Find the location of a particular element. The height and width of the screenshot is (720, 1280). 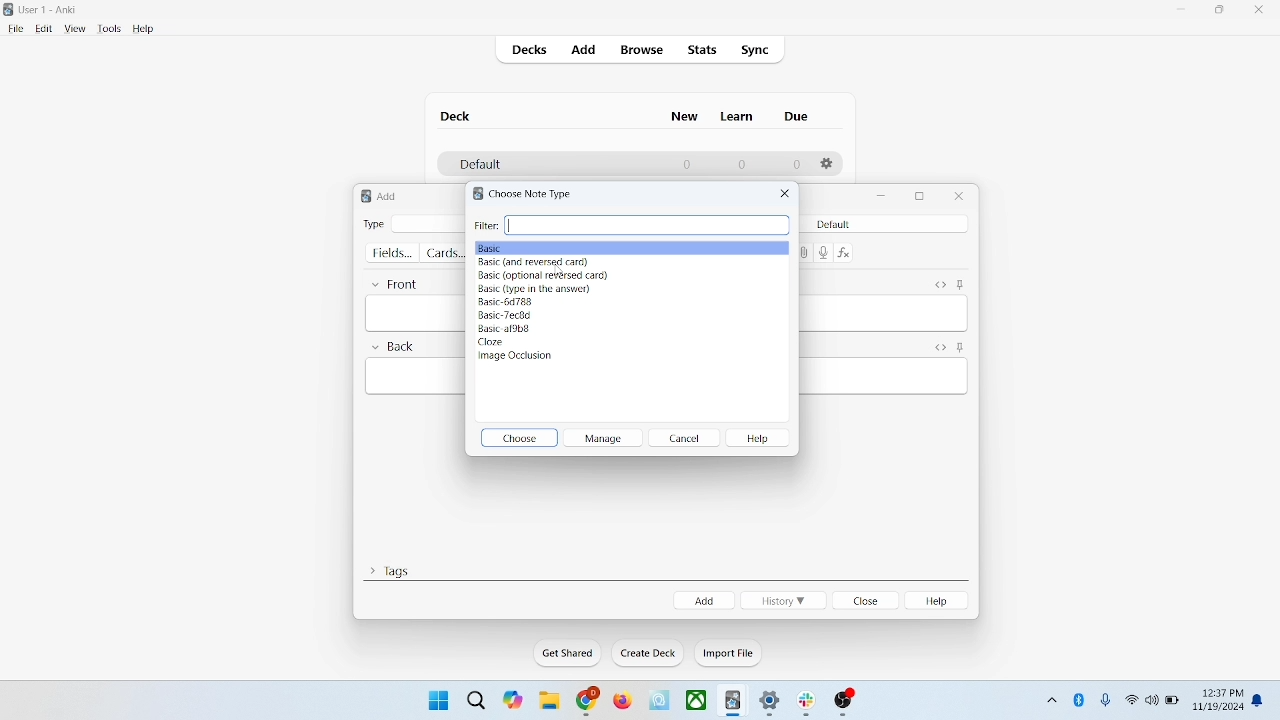

tags is located at coordinates (389, 569).